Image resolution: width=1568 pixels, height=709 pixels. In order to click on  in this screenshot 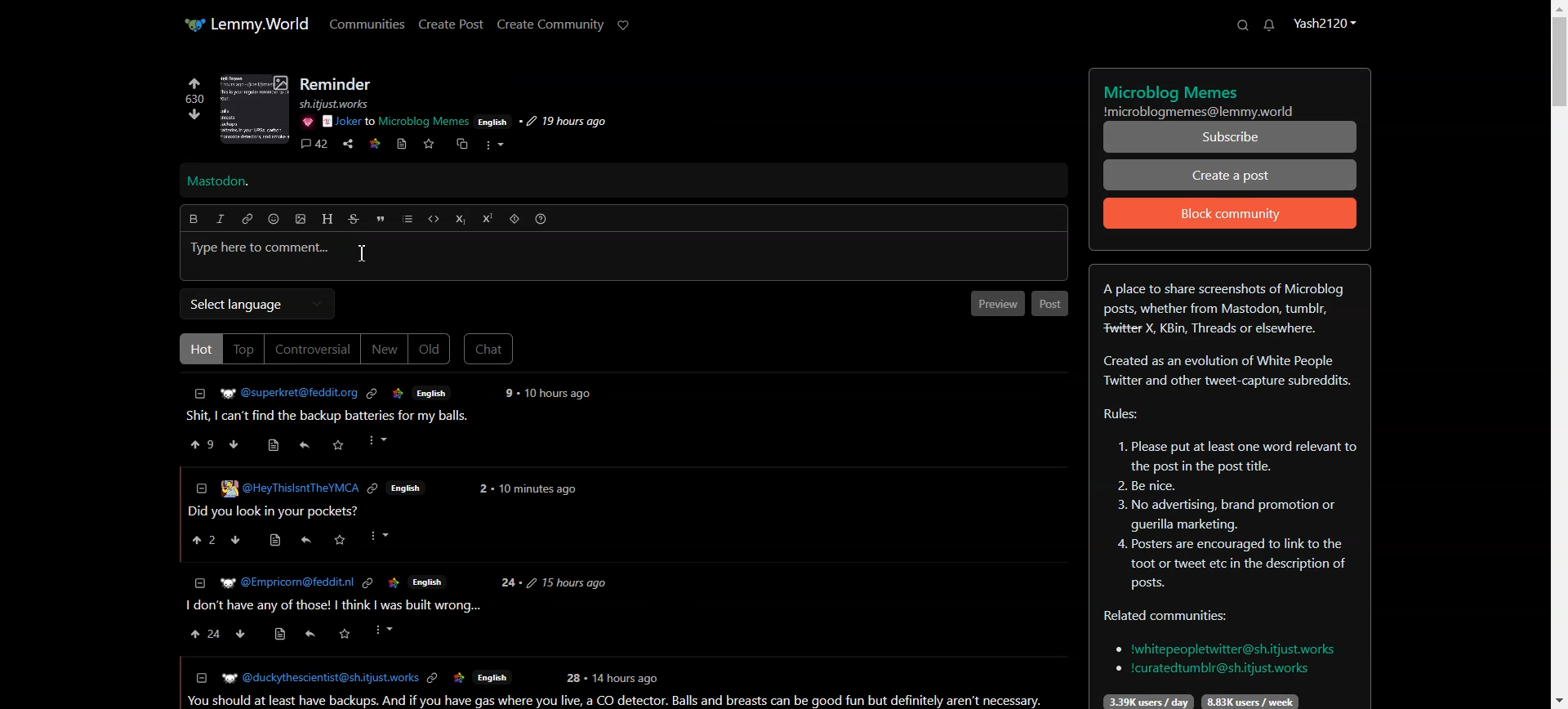, I will do `click(242, 634)`.